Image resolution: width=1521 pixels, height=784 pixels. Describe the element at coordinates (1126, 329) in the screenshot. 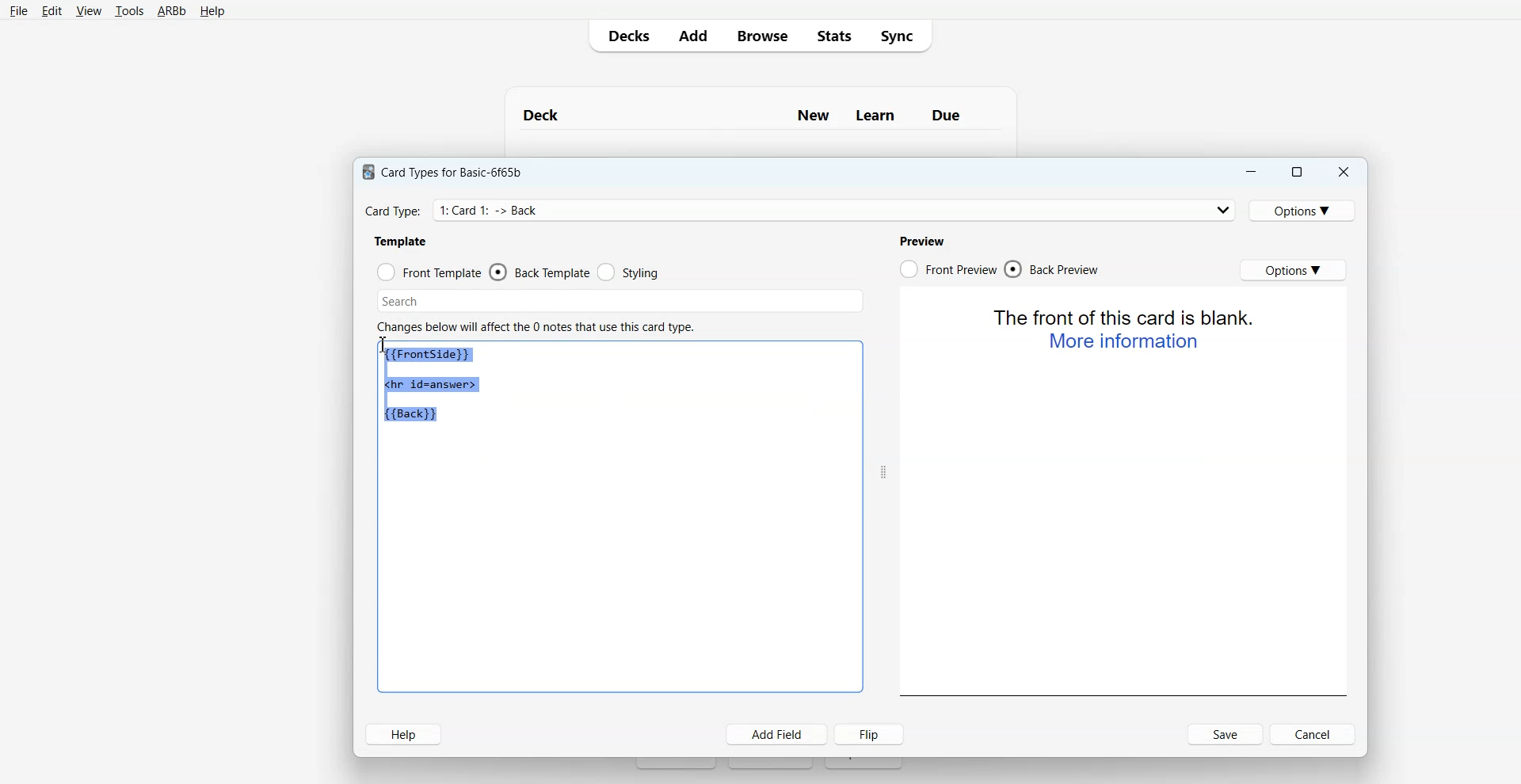

I see `Text 2` at that location.